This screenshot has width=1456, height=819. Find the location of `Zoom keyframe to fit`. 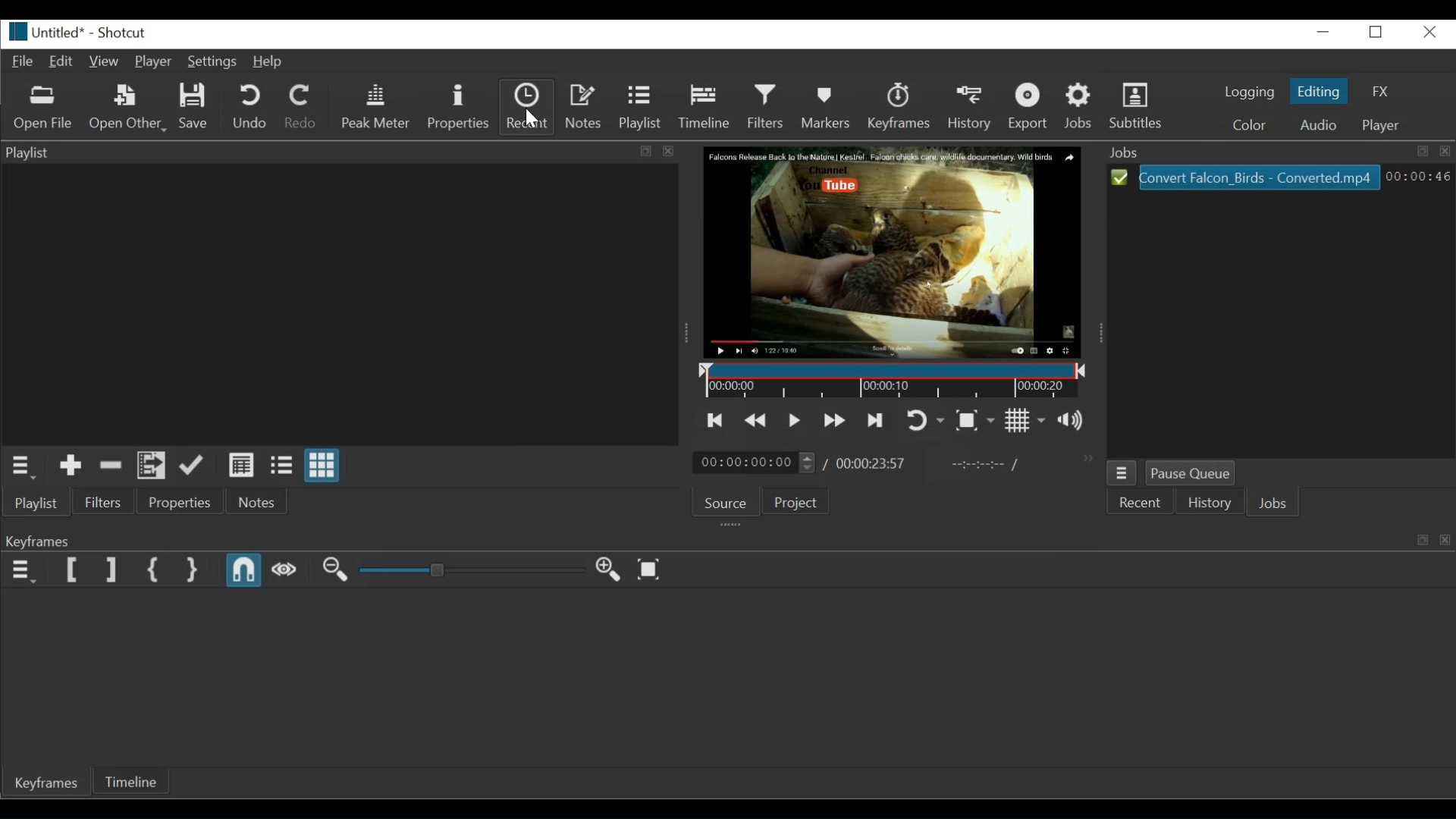

Zoom keyframe to fit is located at coordinates (652, 570).